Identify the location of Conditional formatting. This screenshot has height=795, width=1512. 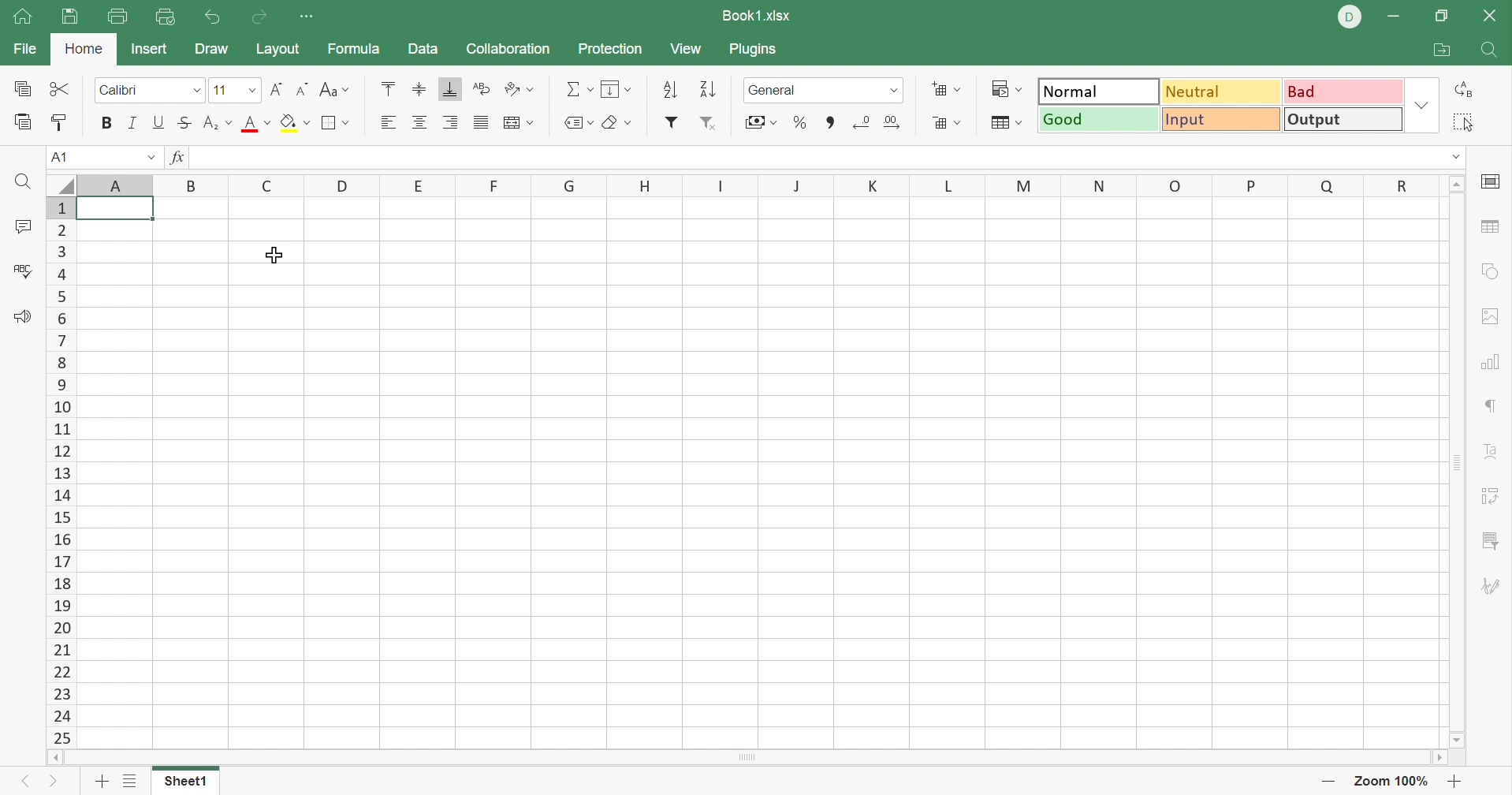
(1011, 87).